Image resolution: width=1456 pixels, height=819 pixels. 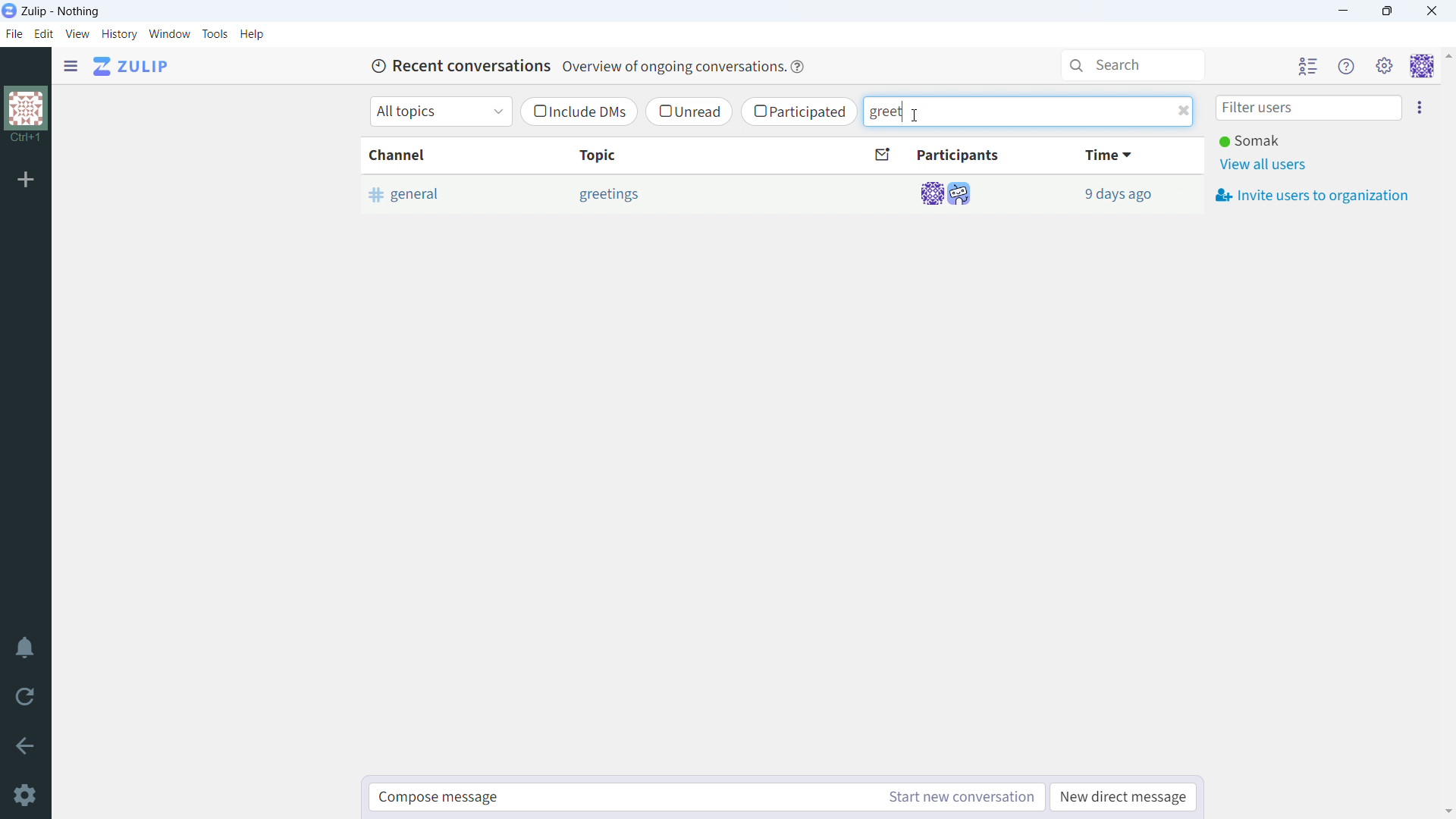 I want to click on help, so click(x=798, y=67).